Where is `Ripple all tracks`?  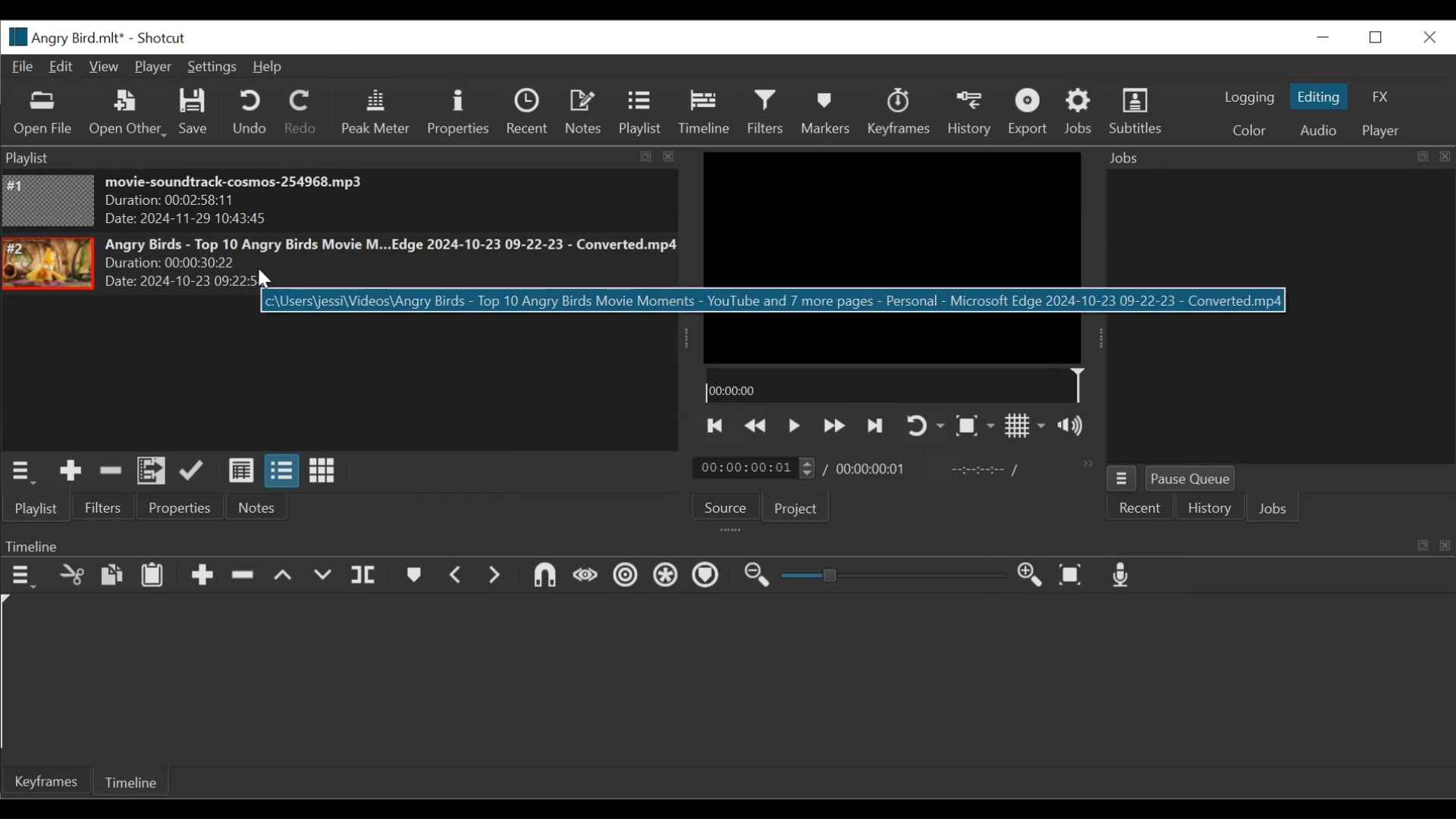 Ripple all tracks is located at coordinates (667, 578).